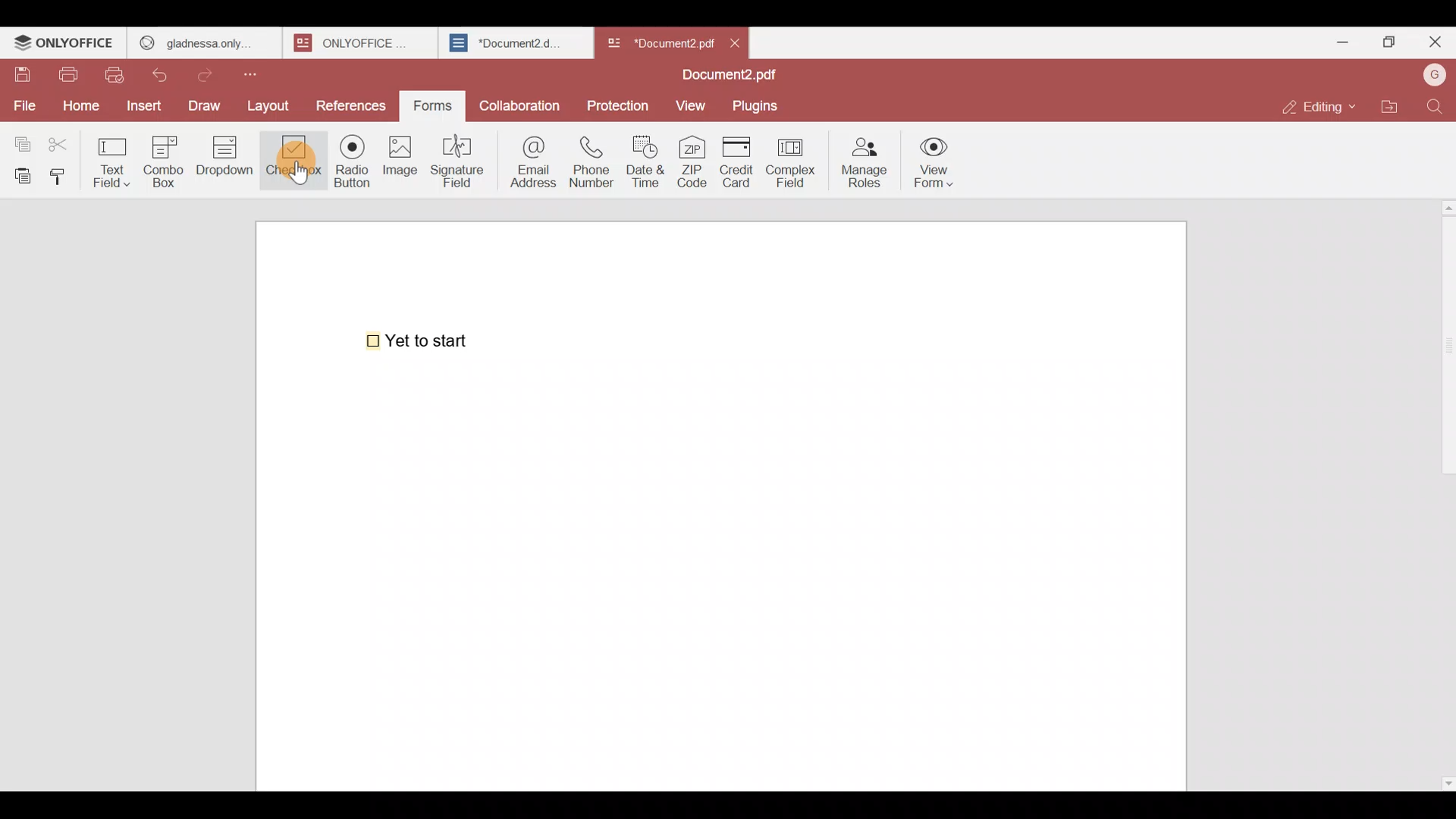  What do you see at coordinates (167, 72) in the screenshot?
I see `Undo` at bounding box center [167, 72].